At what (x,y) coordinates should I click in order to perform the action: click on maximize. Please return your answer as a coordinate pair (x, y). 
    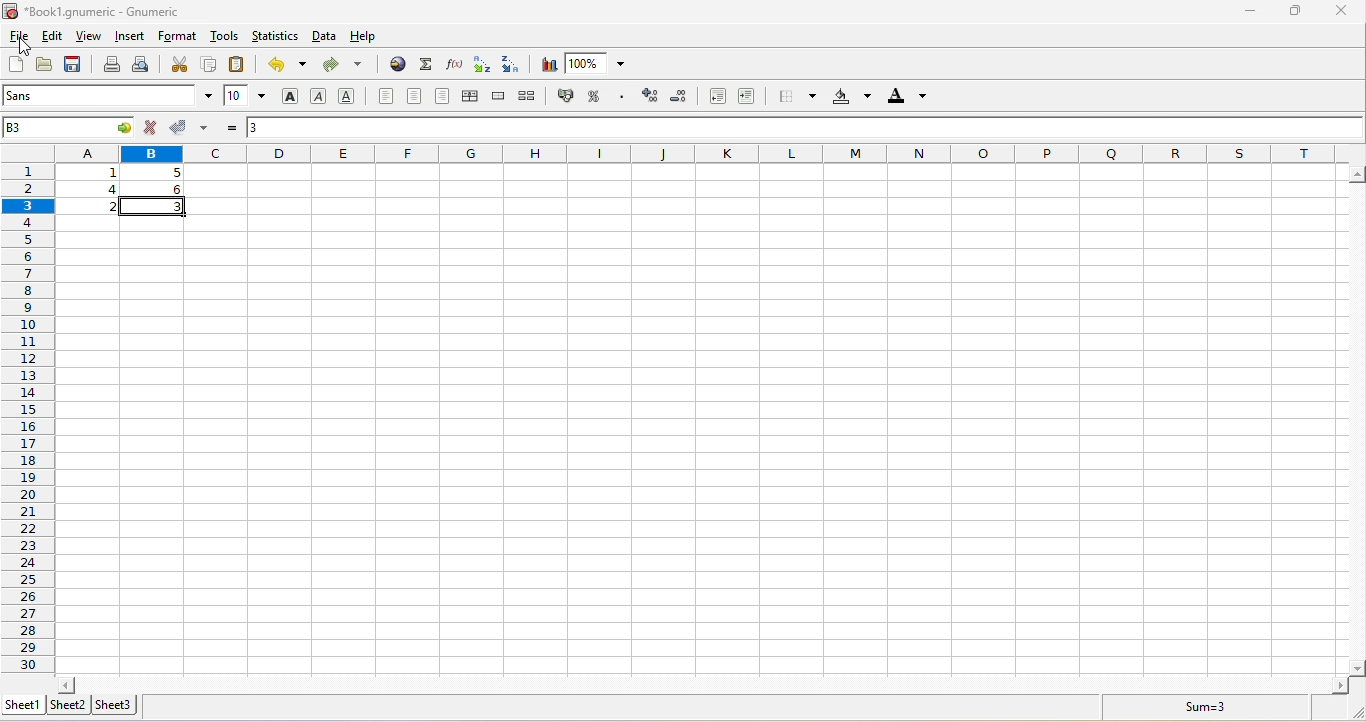
    Looking at the image, I should click on (1286, 12).